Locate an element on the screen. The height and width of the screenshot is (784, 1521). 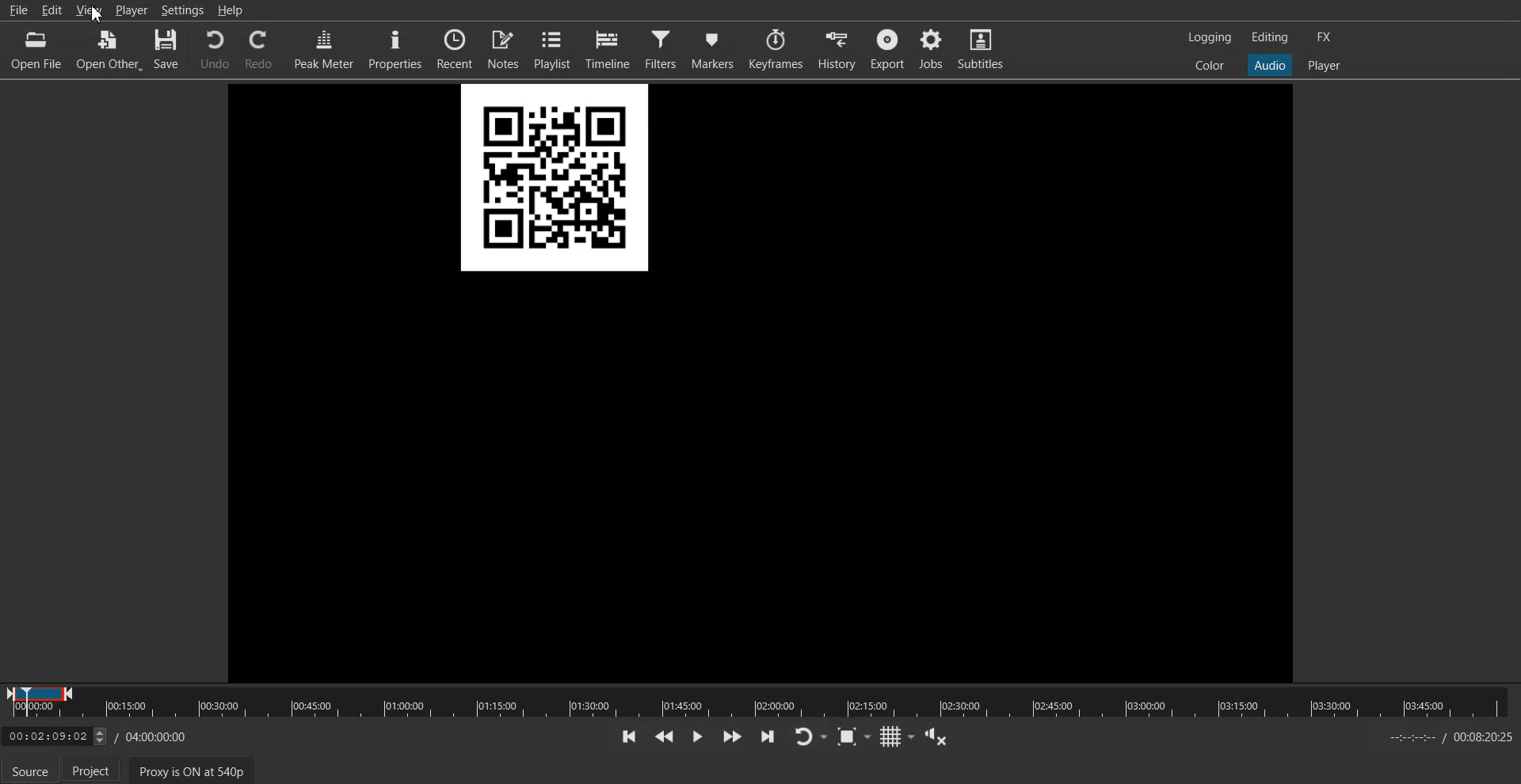
Skip to the next point is located at coordinates (768, 737).